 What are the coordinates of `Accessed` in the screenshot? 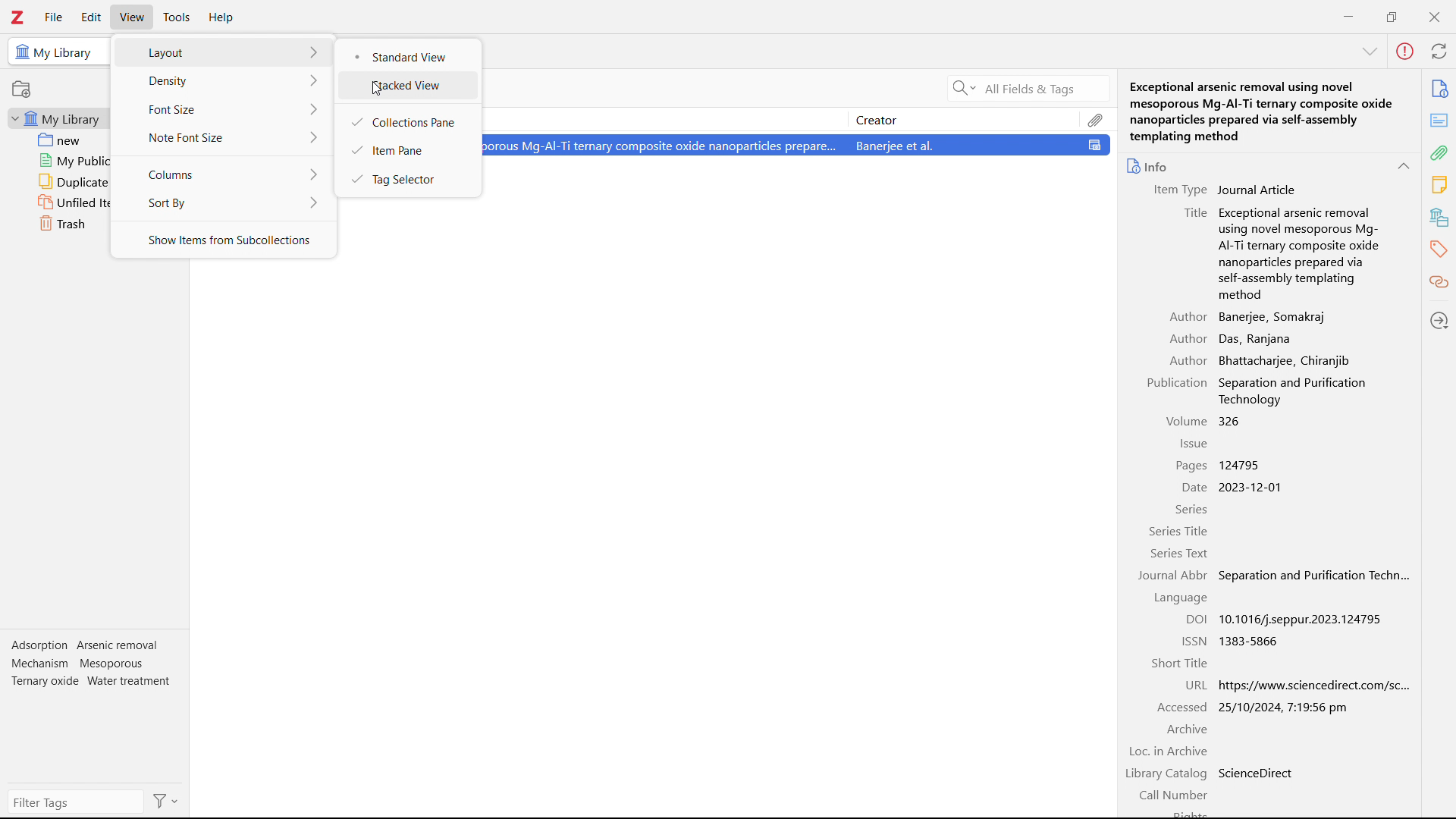 It's located at (1181, 706).